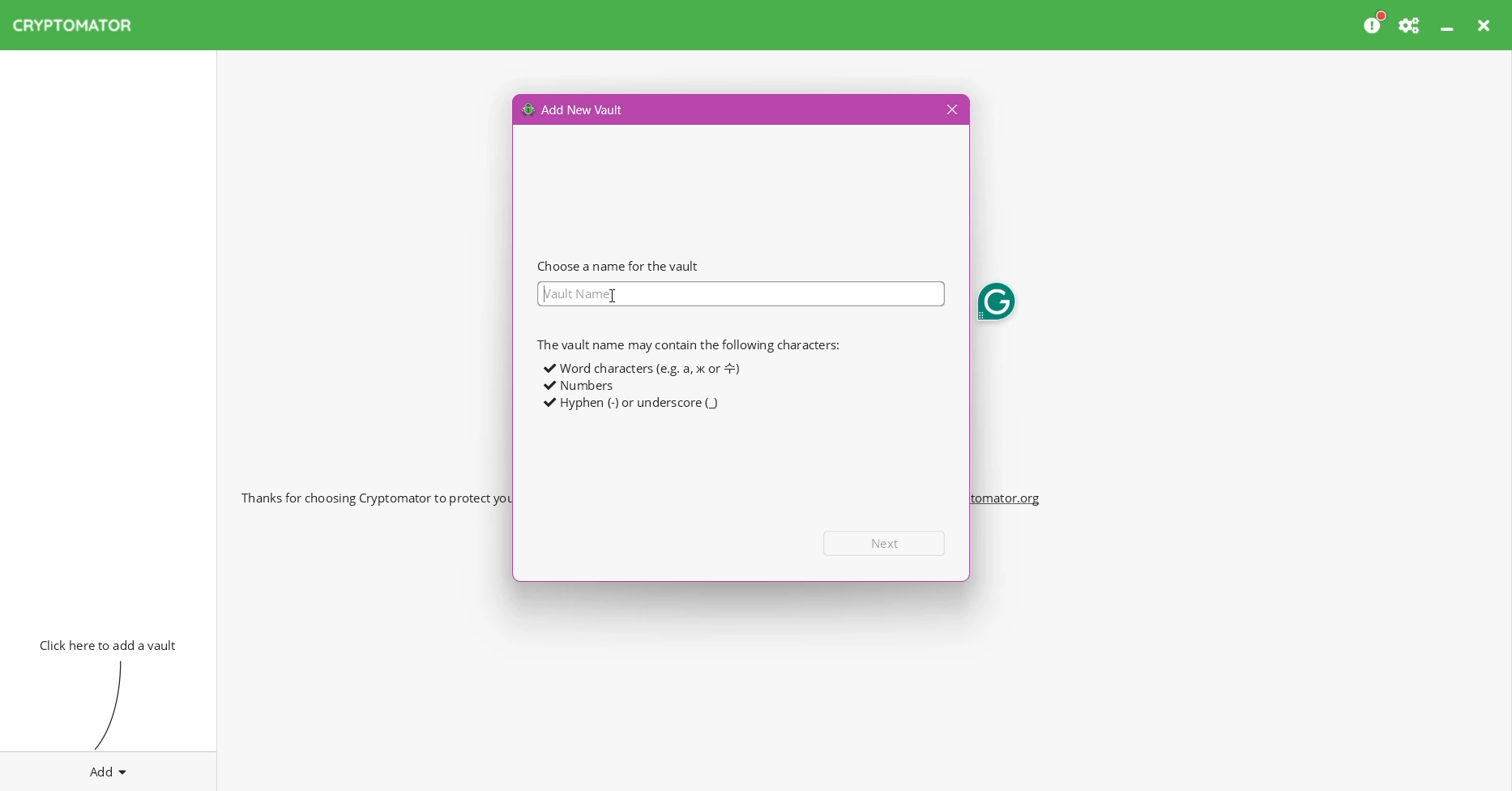 The width and height of the screenshot is (1512, 791). I want to click on Close, so click(1486, 25).